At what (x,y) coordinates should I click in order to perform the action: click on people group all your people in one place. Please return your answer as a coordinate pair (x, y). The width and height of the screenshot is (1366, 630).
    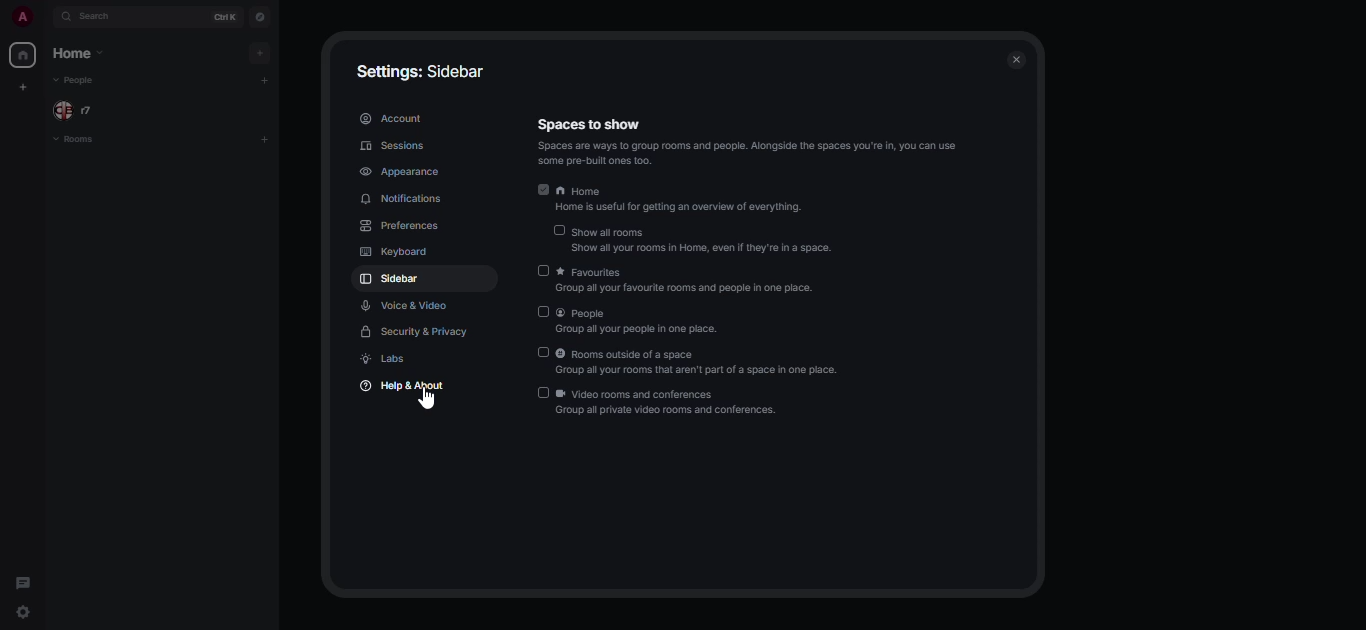
    Looking at the image, I should click on (648, 321).